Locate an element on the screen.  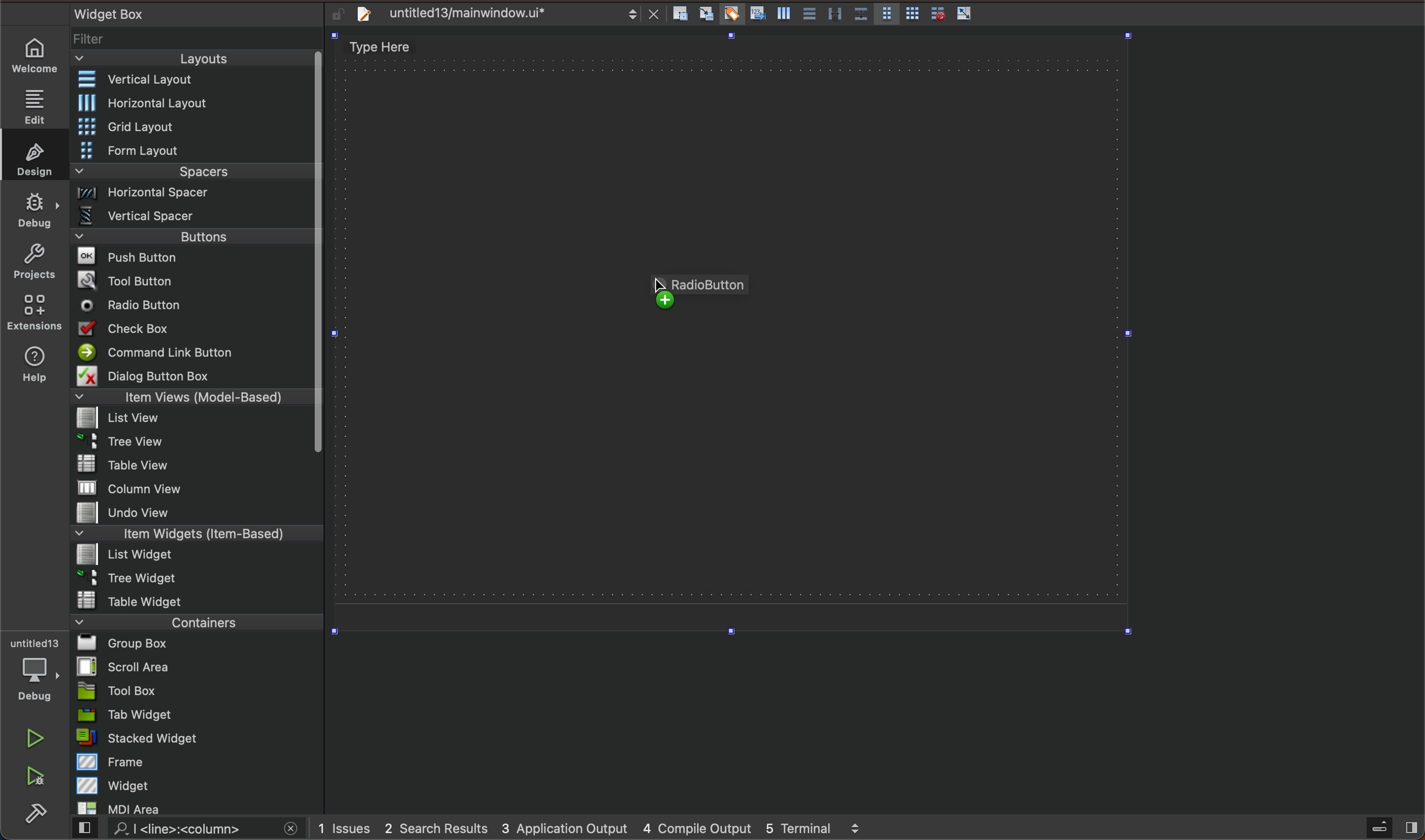
 is located at coordinates (756, 15).